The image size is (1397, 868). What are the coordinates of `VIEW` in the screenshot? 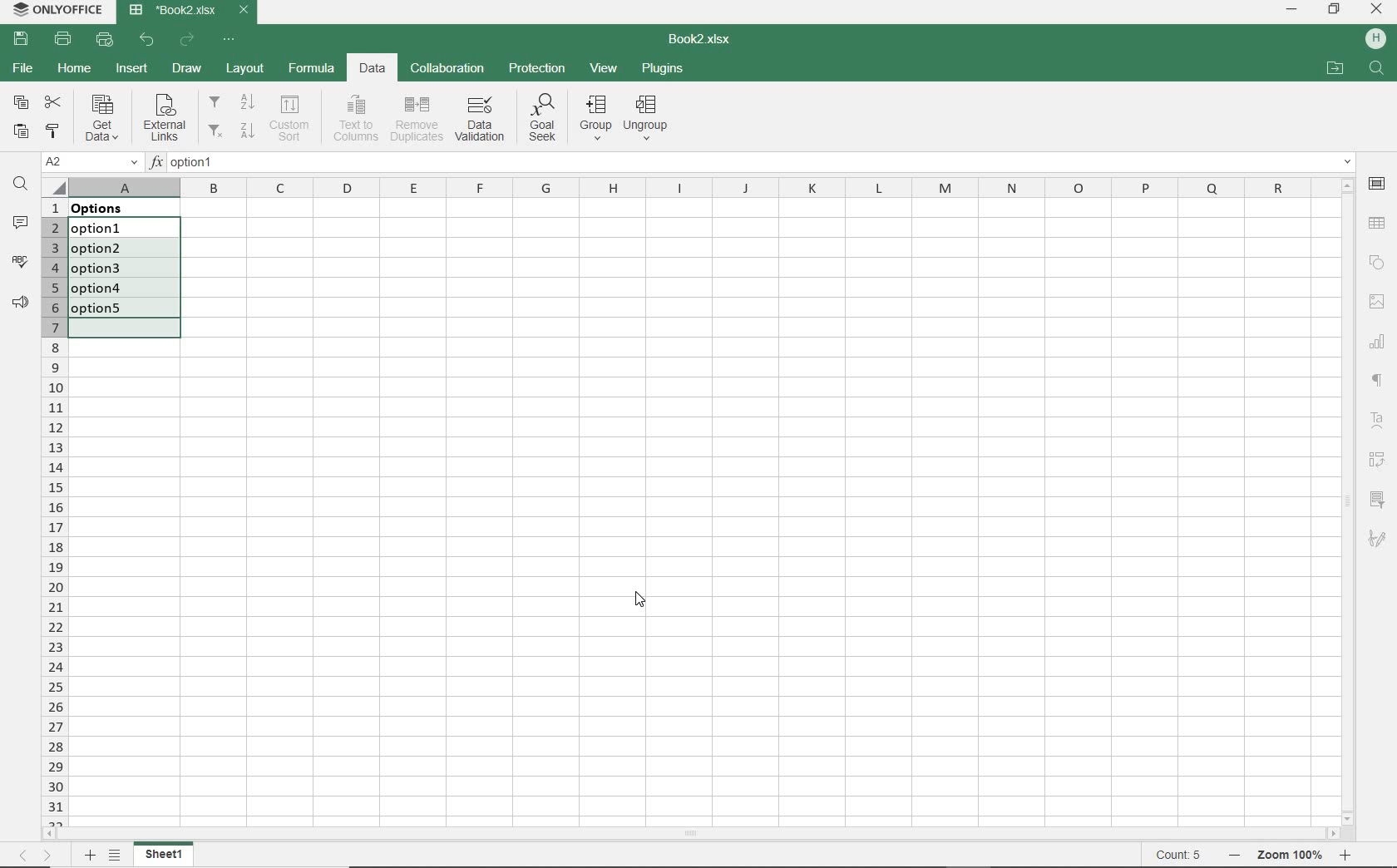 It's located at (604, 68).